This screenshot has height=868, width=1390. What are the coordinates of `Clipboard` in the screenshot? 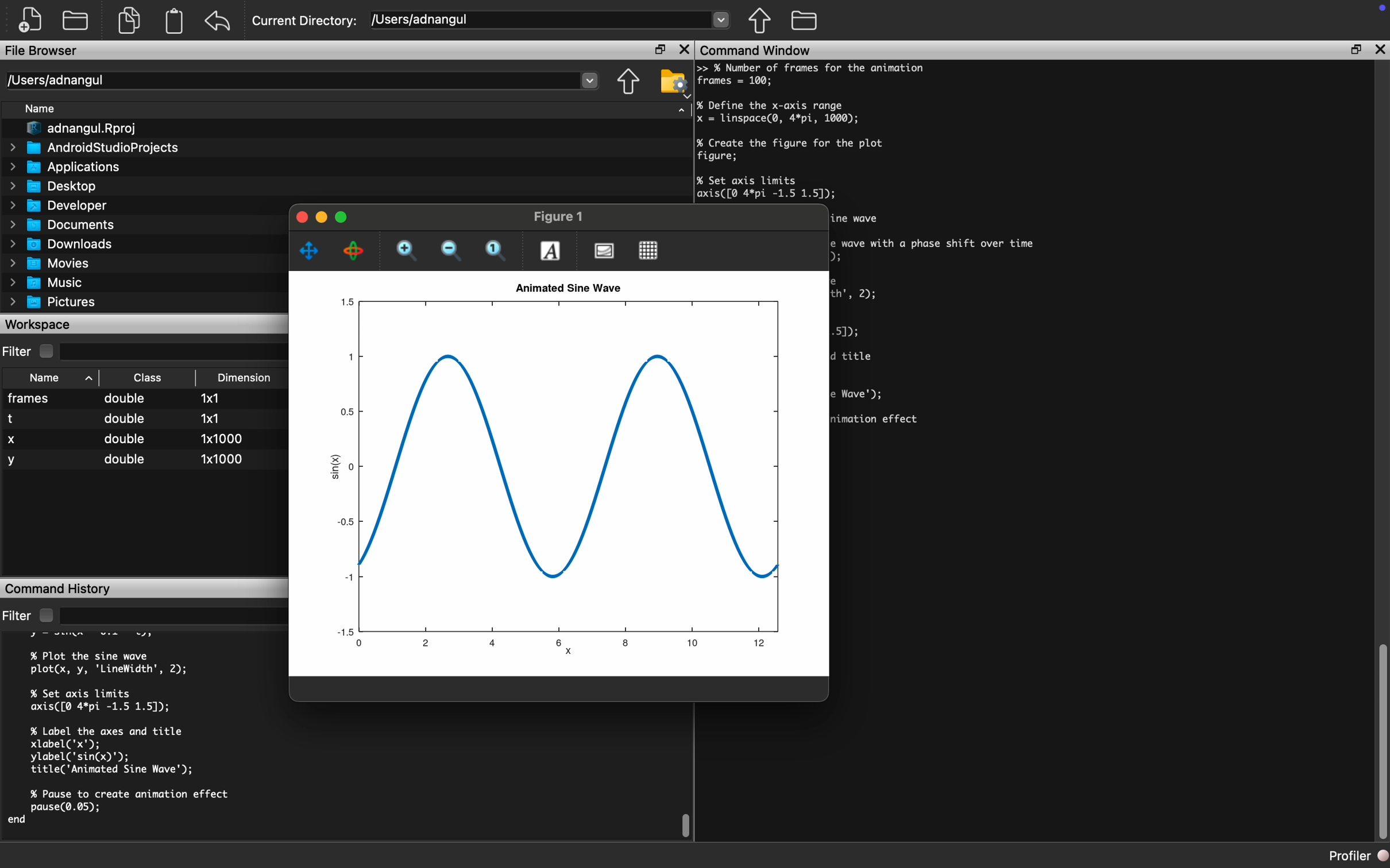 It's located at (175, 21).